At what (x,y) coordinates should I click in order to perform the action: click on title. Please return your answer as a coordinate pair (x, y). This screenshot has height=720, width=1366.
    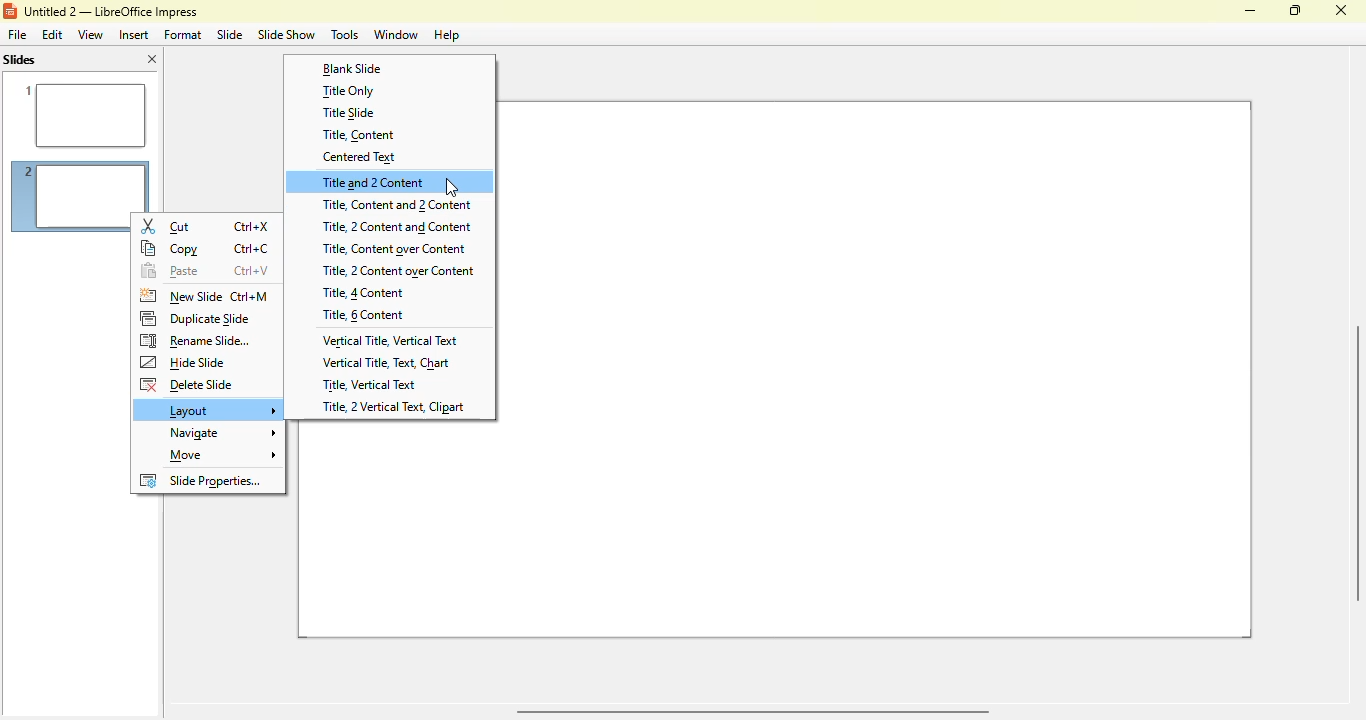
    Looking at the image, I should click on (110, 12).